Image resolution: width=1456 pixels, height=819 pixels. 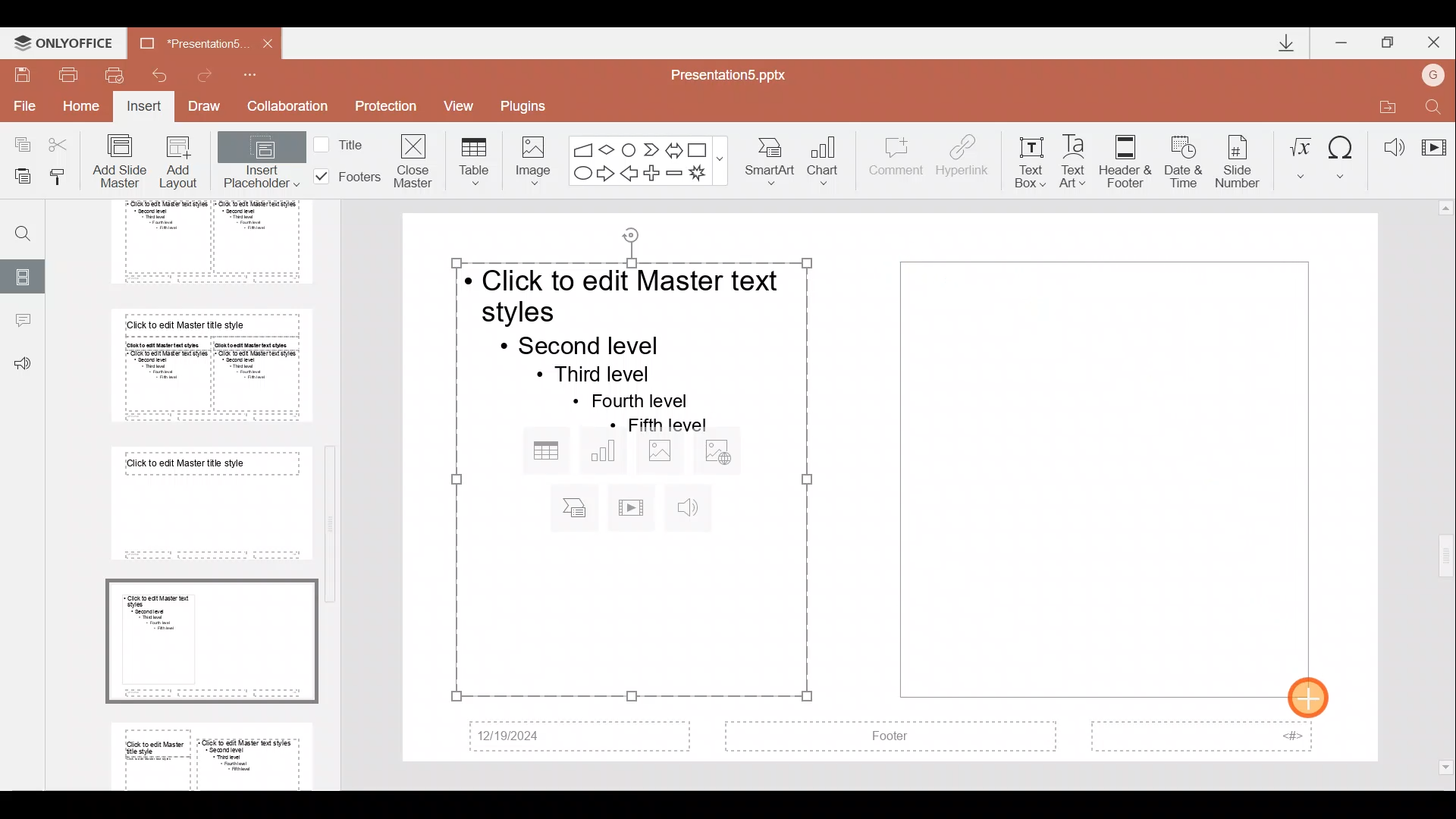 What do you see at coordinates (896, 163) in the screenshot?
I see `Comment` at bounding box center [896, 163].